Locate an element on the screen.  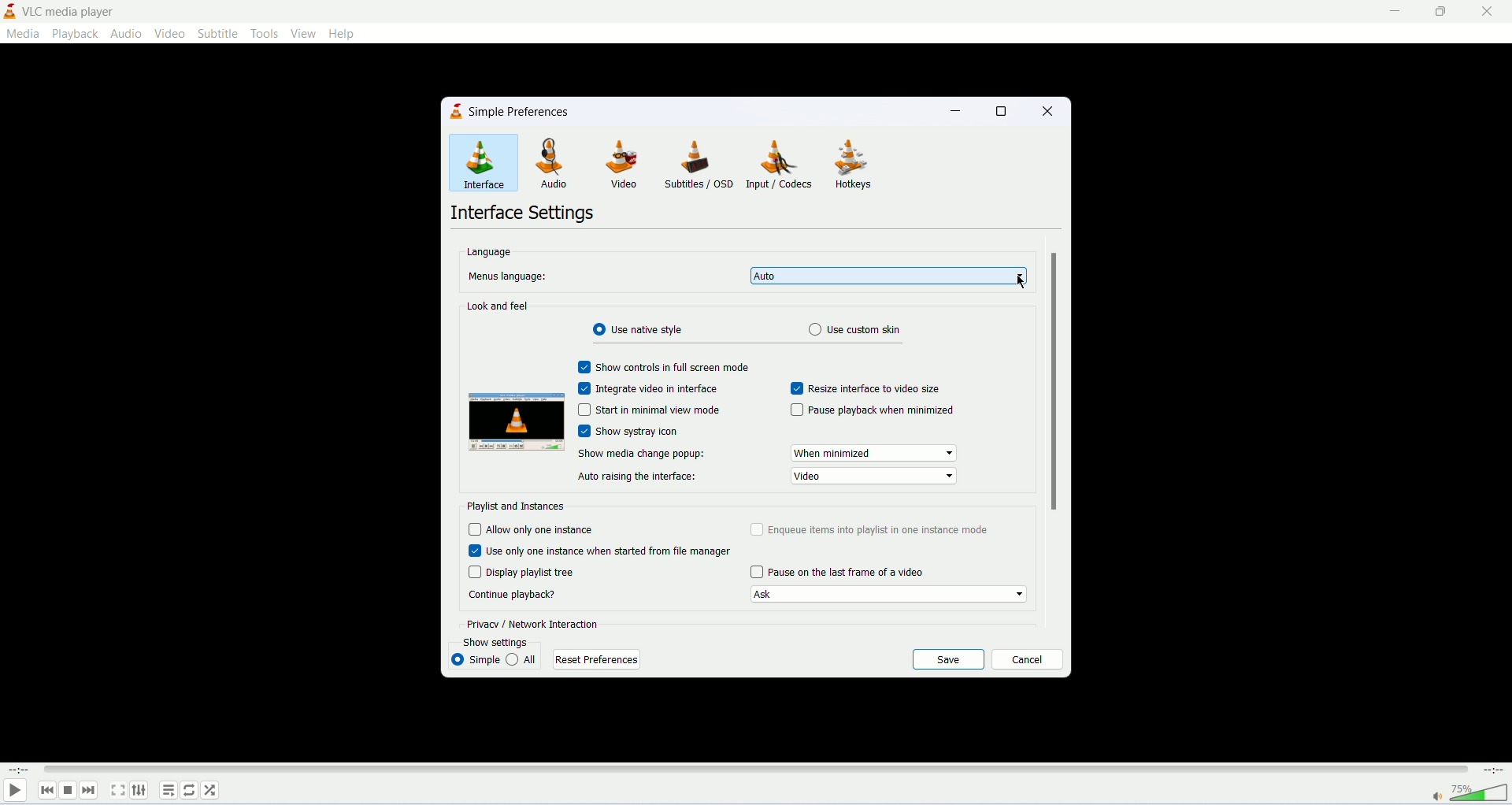
save is located at coordinates (949, 660).